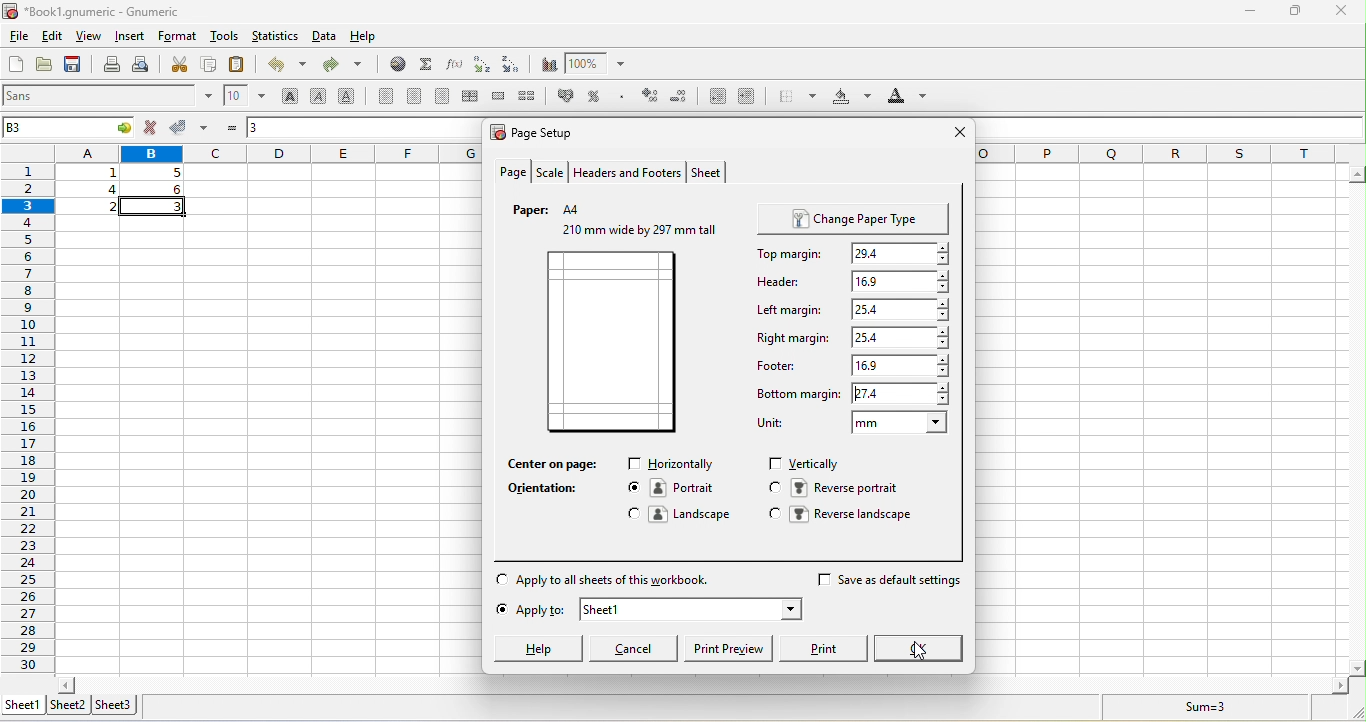 The width and height of the screenshot is (1366, 722). Describe the element at coordinates (384, 97) in the screenshot. I see `align left ` at that location.